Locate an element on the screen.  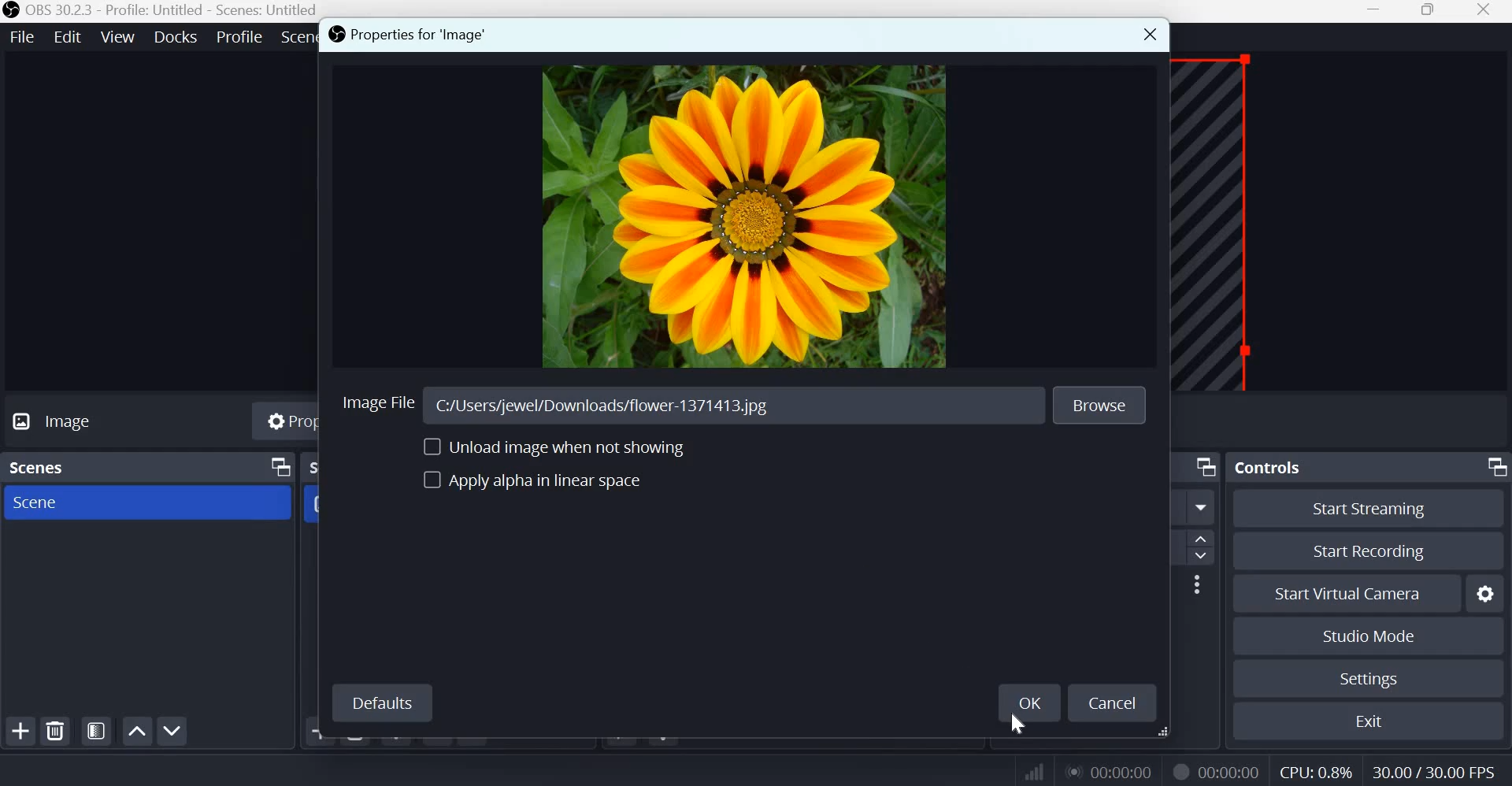
Move scene up is located at coordinates (138, 731).